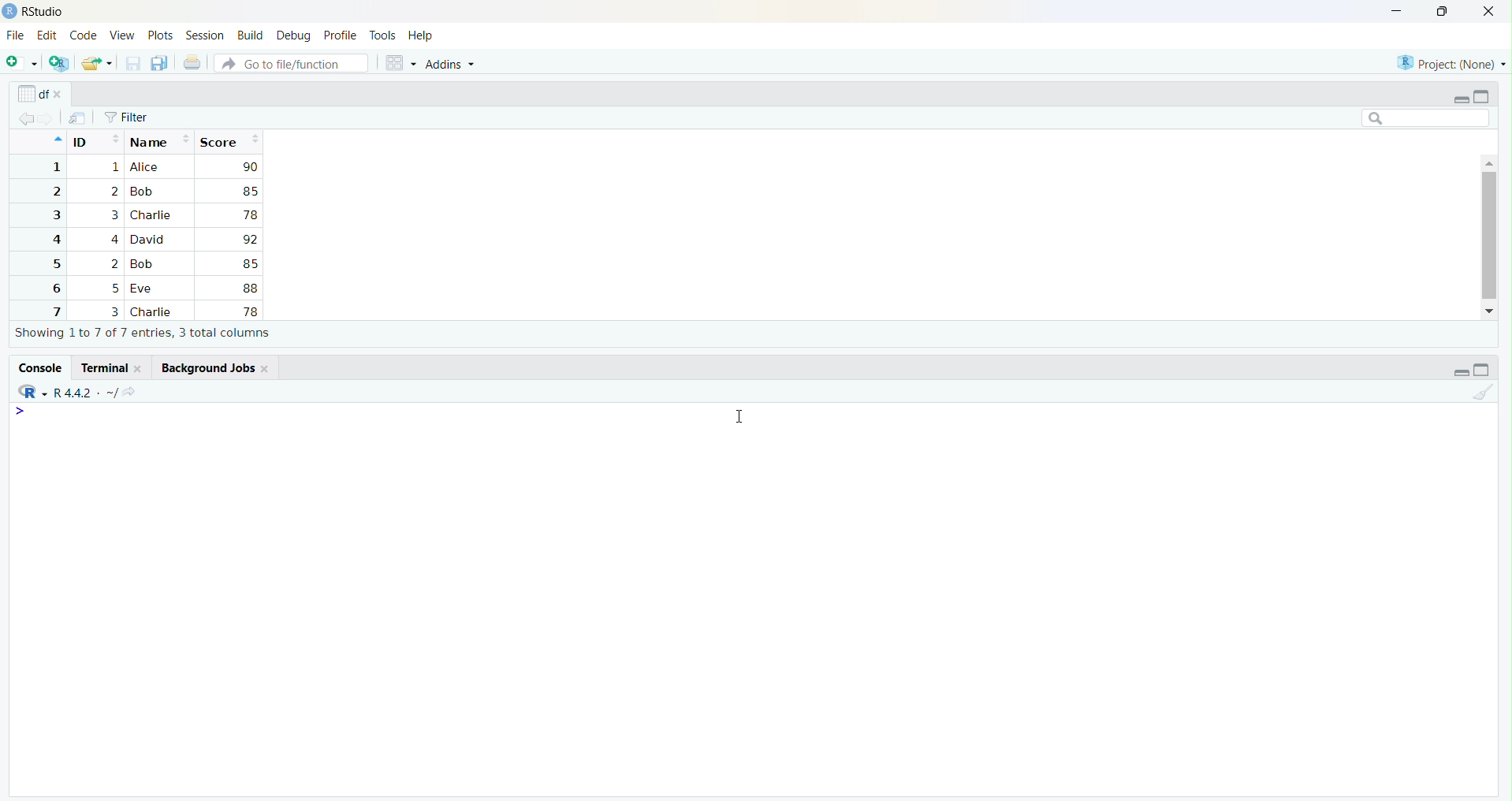 This screenshot has height=801, width=1512. I want to click on RStudio, so click(44, 12).